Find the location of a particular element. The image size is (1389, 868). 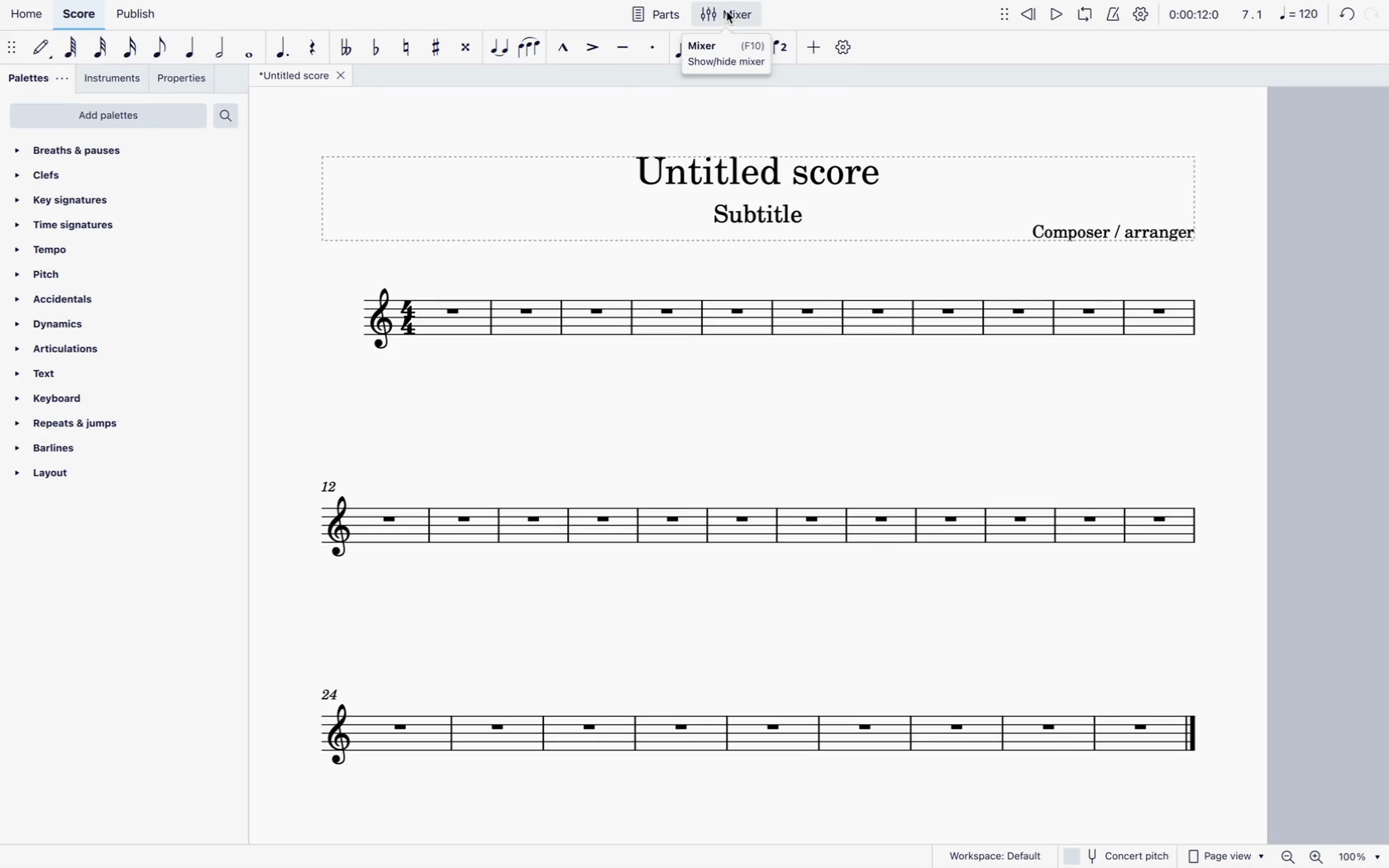

slur is located at coordinates (534, 48).